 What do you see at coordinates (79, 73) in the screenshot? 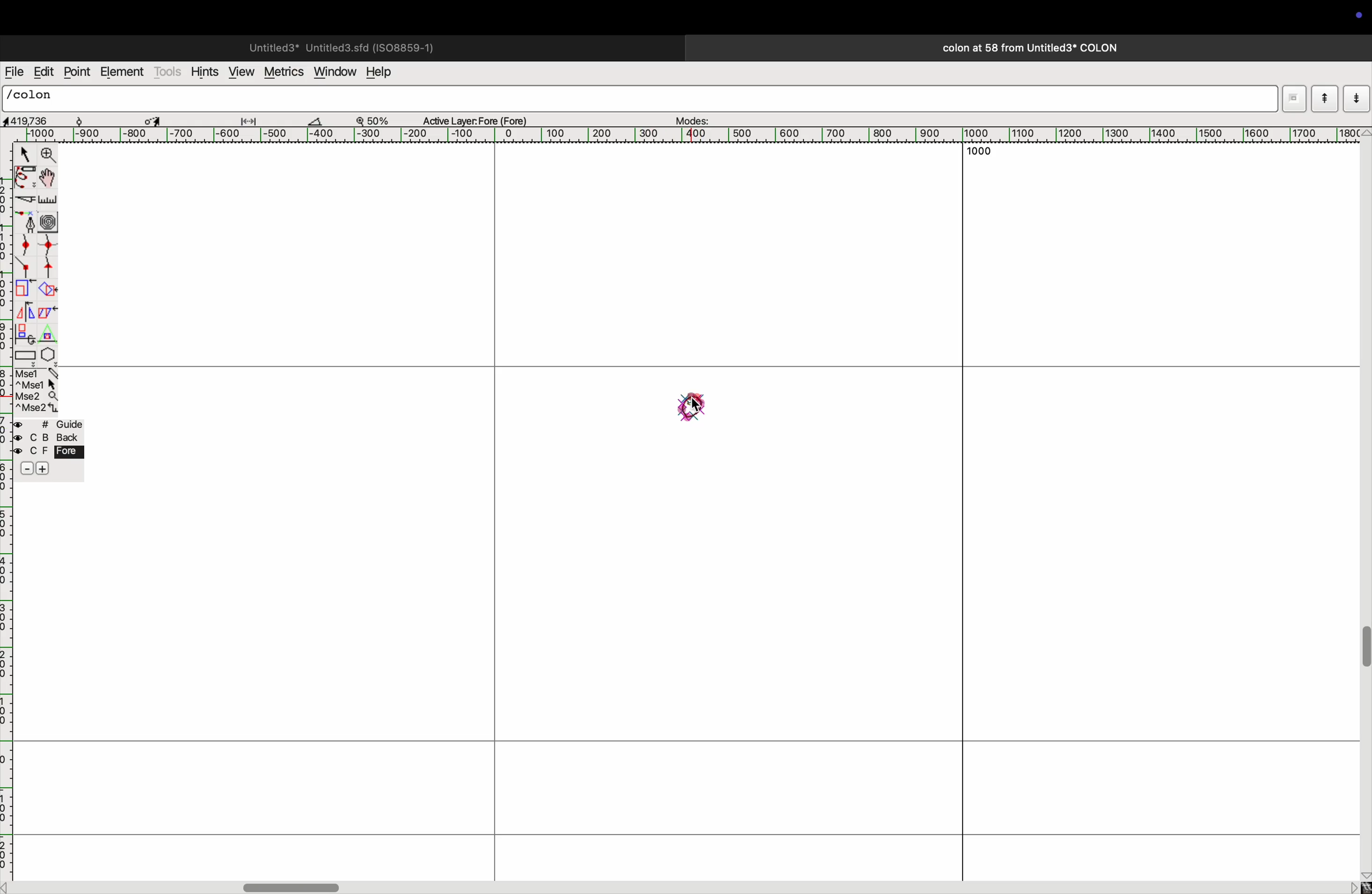
I see `point` at bounding box center [79, 73].